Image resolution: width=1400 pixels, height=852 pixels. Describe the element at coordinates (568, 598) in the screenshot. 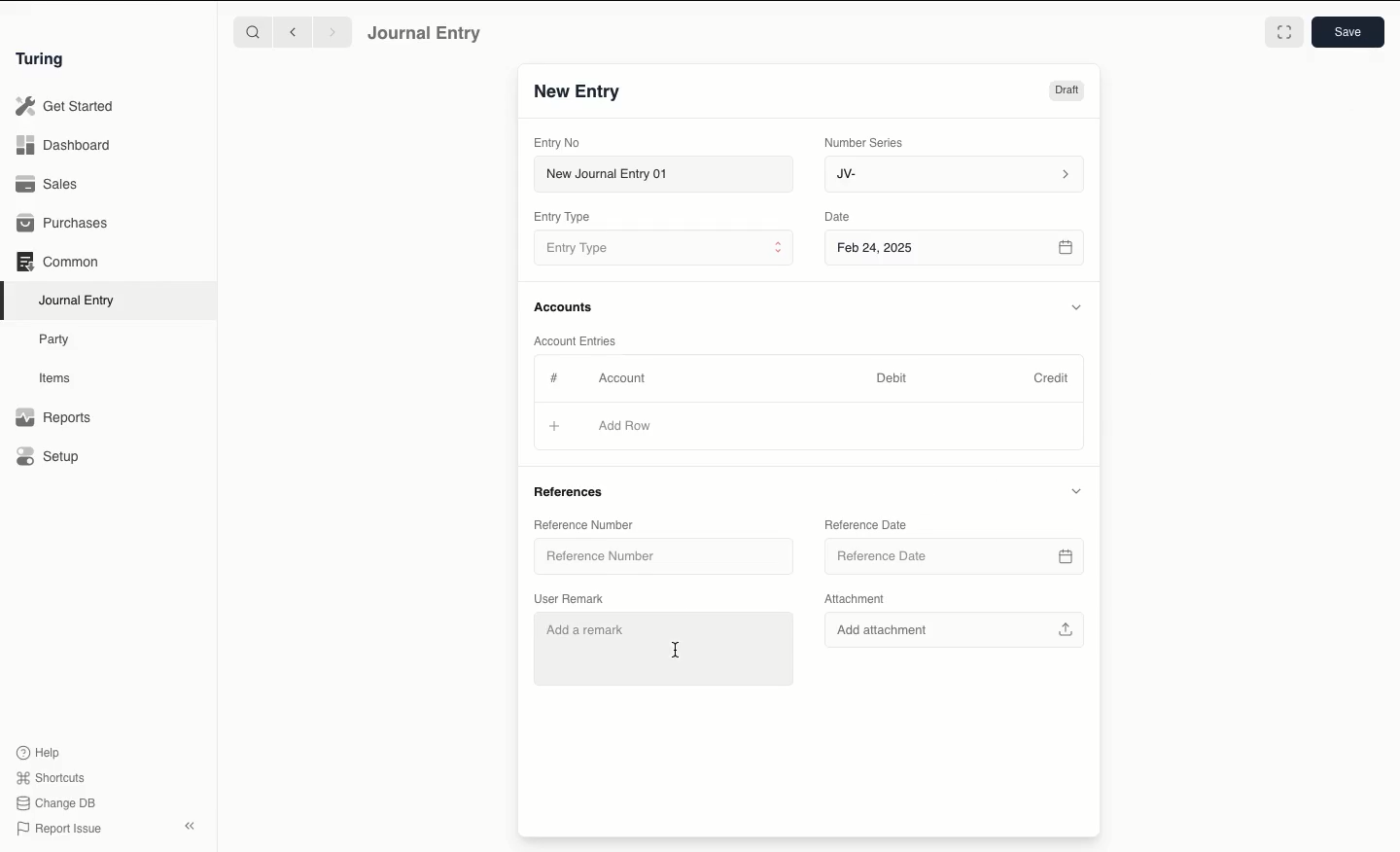

I see `User Remark` at that location.